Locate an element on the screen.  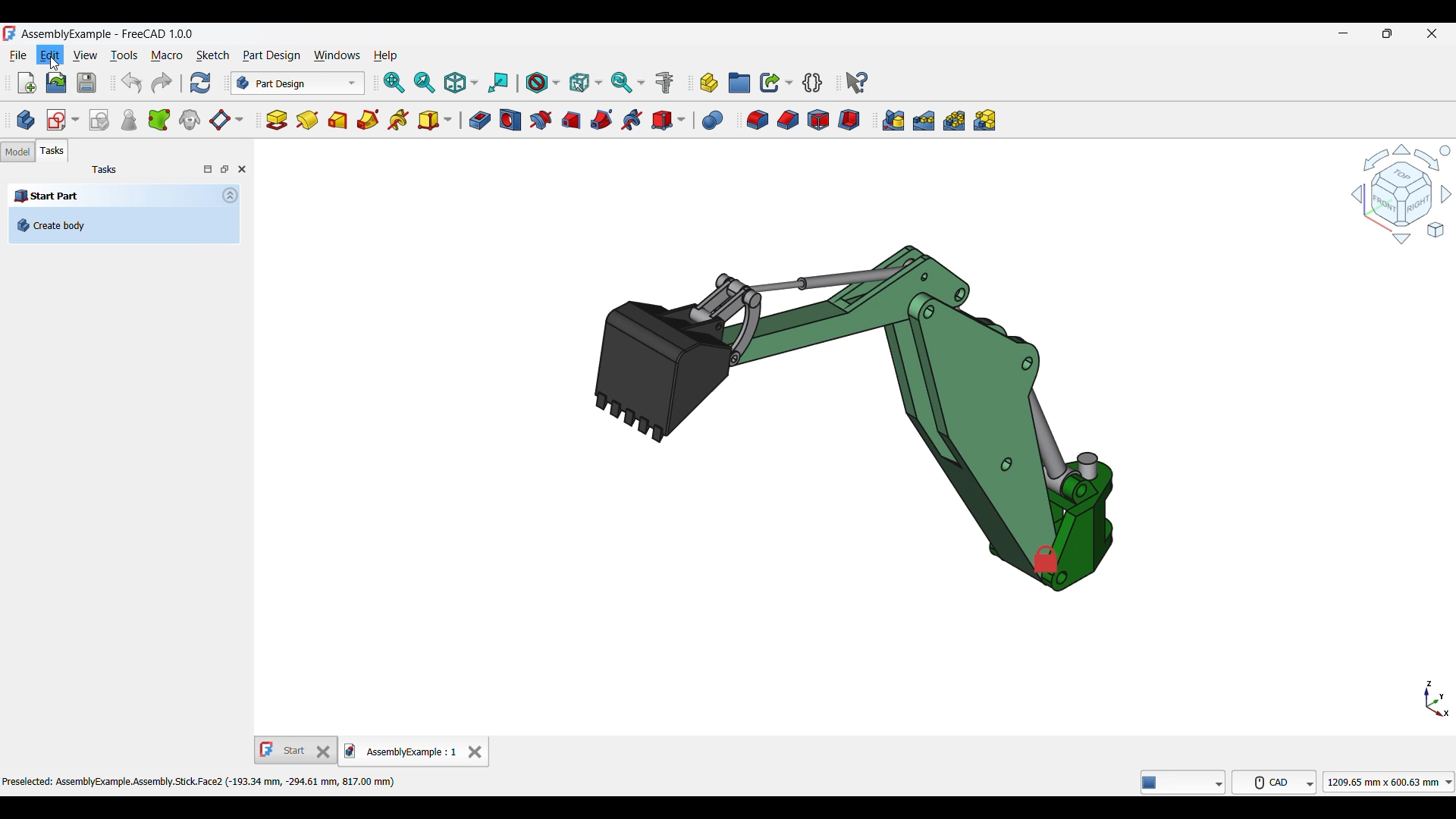
Axis navigation is located at coordinates (1437, 698).